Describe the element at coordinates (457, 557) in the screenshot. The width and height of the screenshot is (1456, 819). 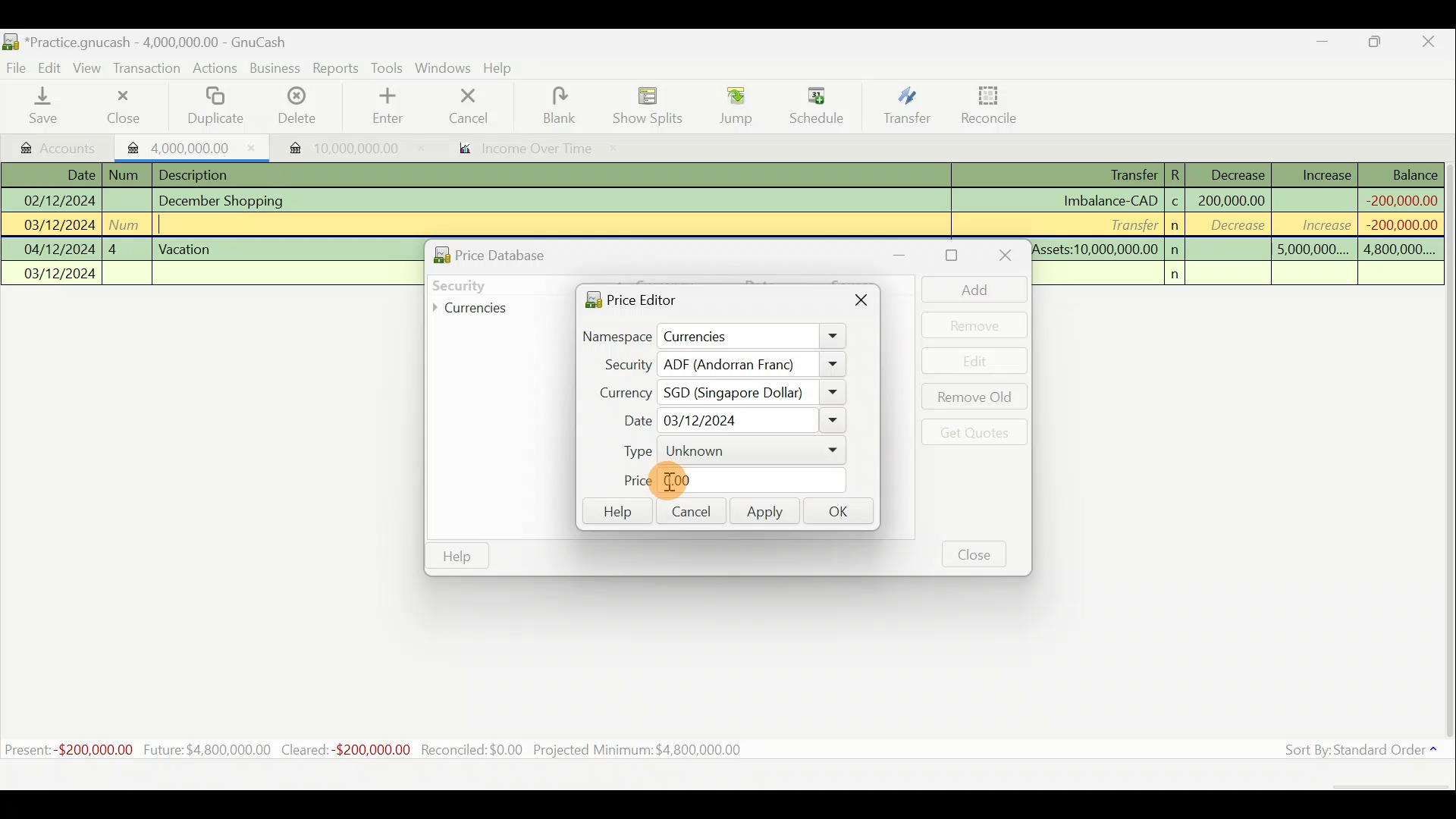
I see `Help` at that location.